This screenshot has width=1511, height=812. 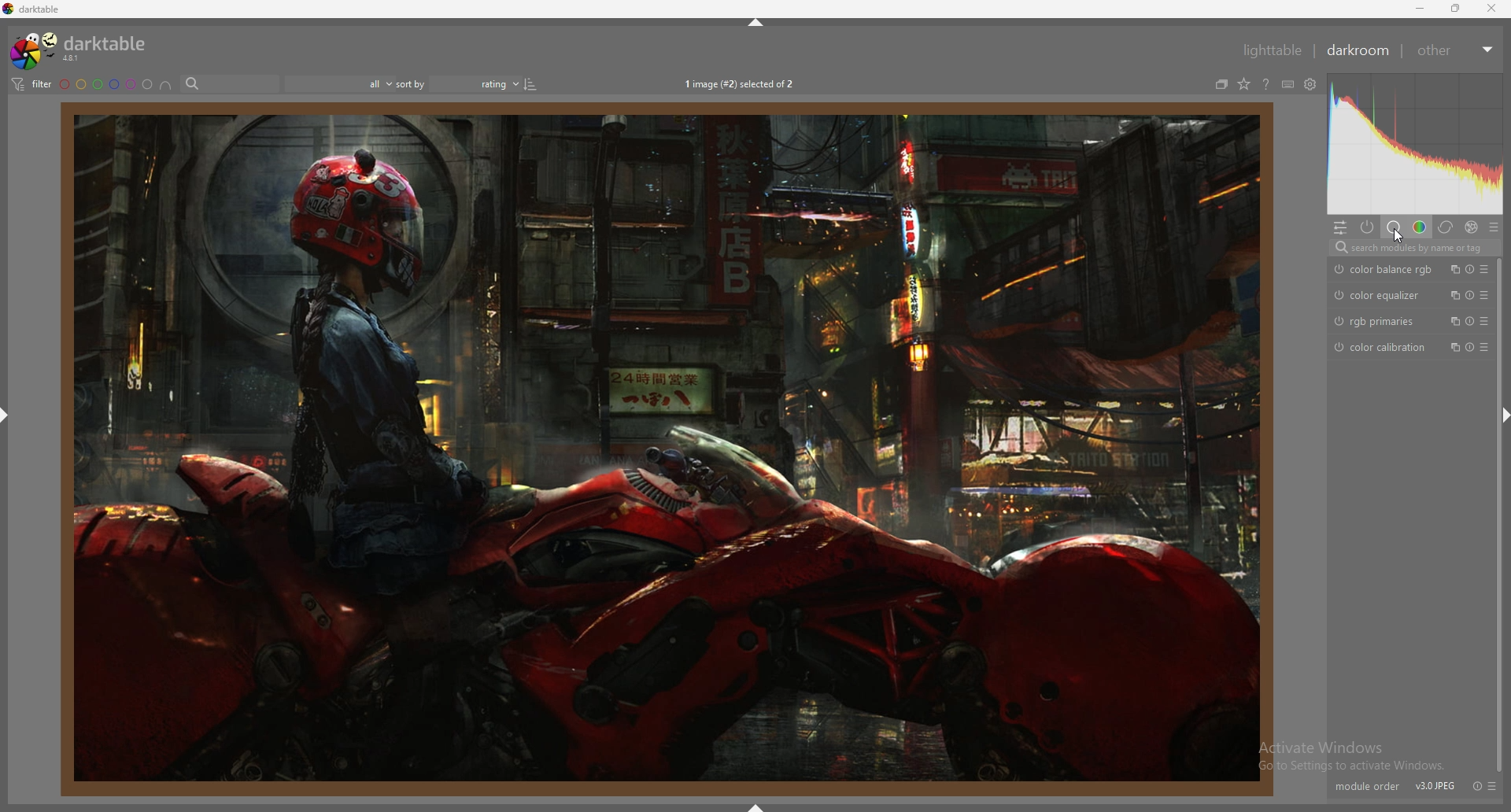 I want to click on color equalizer, so click(x=1378, y=295).